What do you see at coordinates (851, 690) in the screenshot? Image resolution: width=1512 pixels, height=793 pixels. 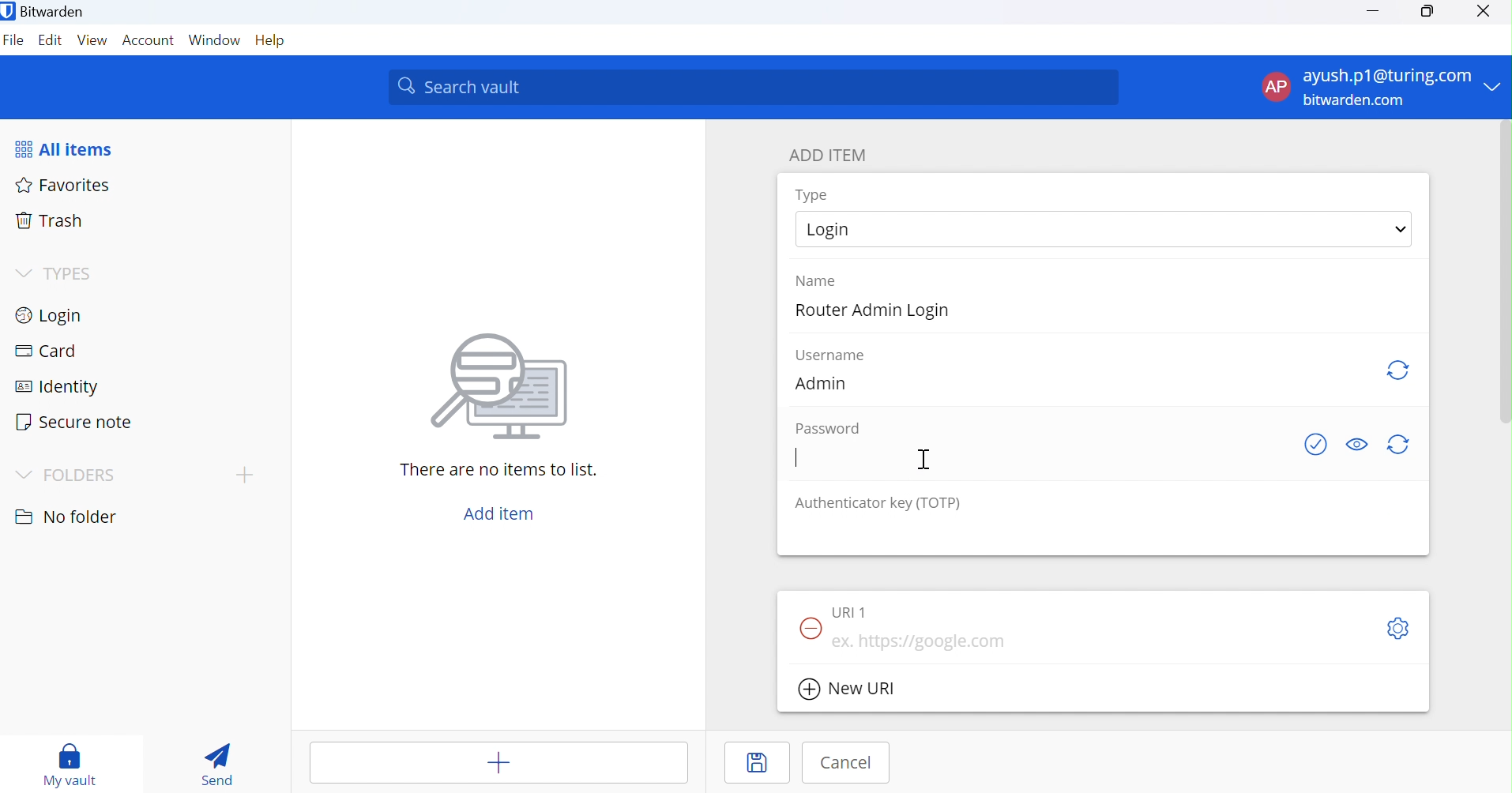 I see `New URI` at bounding box center [851, 690].